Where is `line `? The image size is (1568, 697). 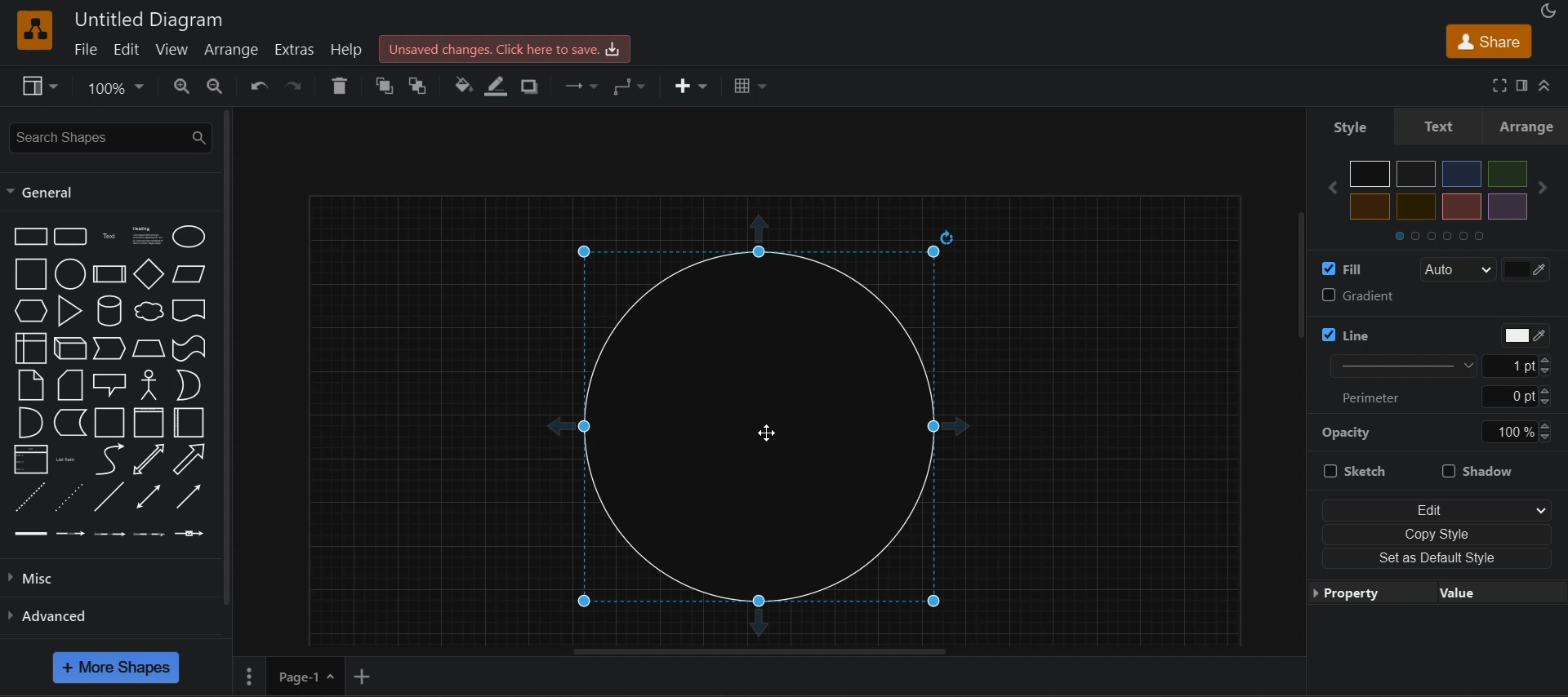
line  is located at coordinates (1440, 334).